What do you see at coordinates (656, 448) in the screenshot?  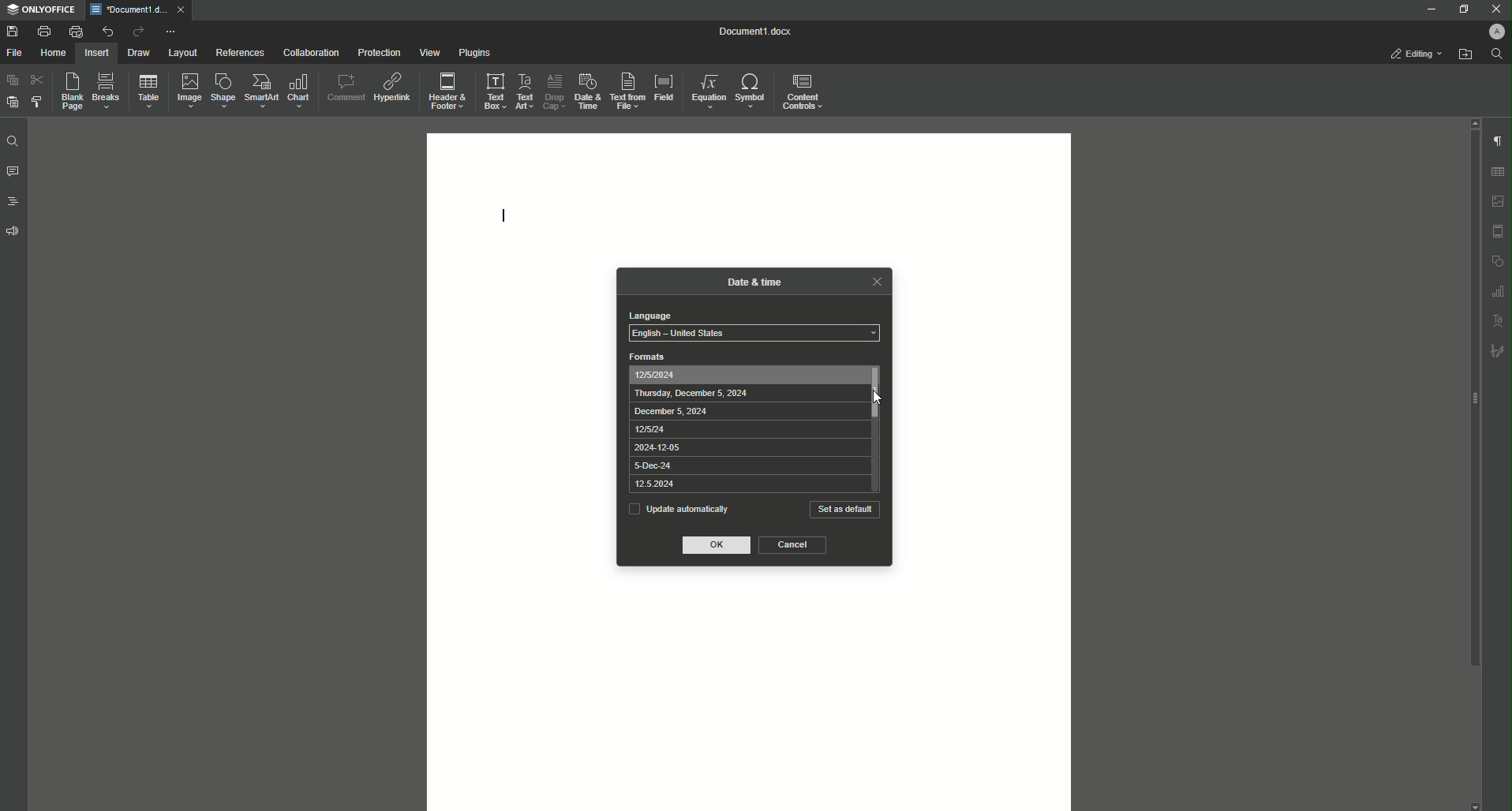 I see `2024-12-05` at bounding box center [656, 448].